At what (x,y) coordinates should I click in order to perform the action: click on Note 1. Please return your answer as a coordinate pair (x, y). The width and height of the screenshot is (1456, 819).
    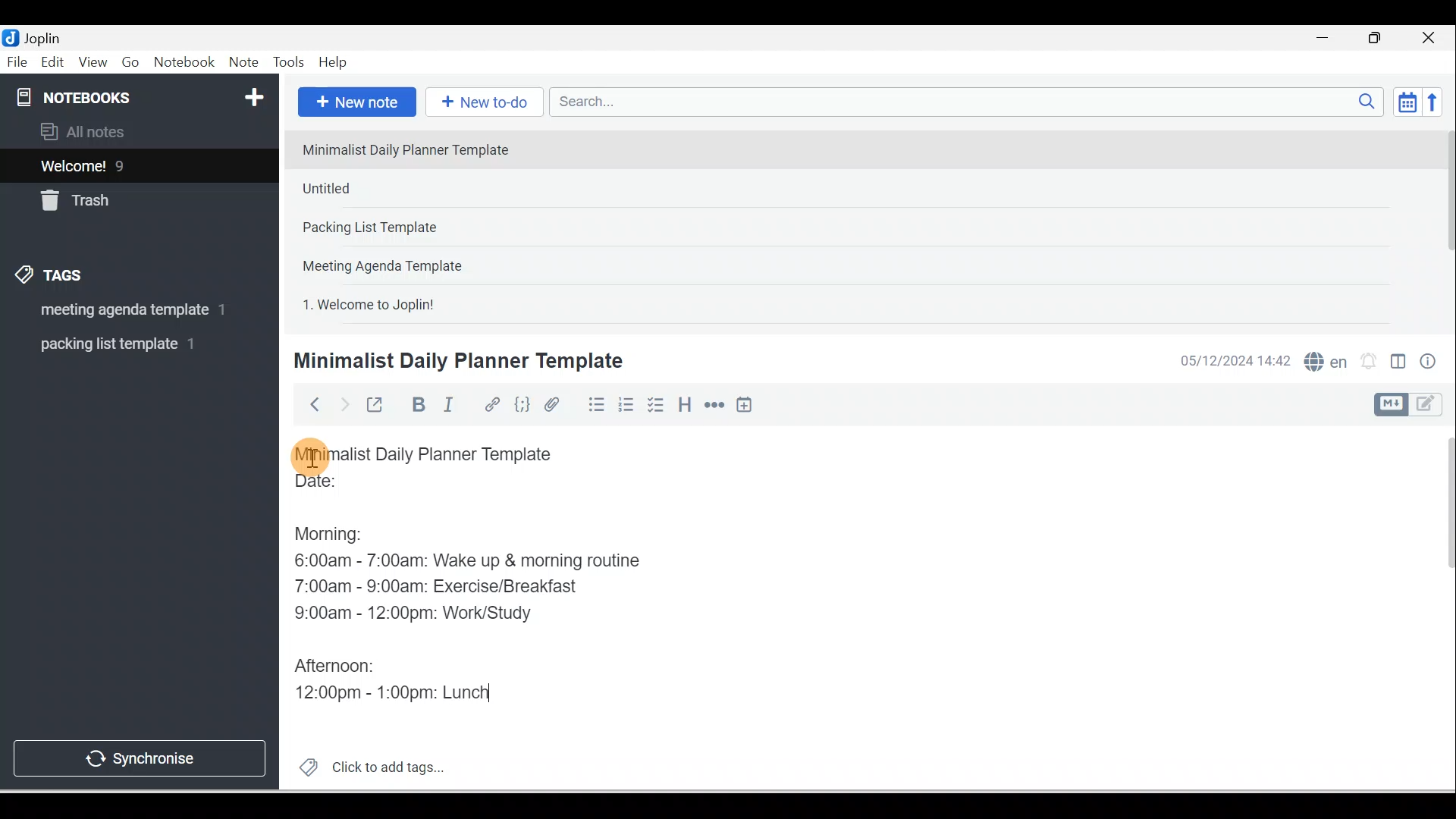
    Looking at the image, I should click on (416, 149).